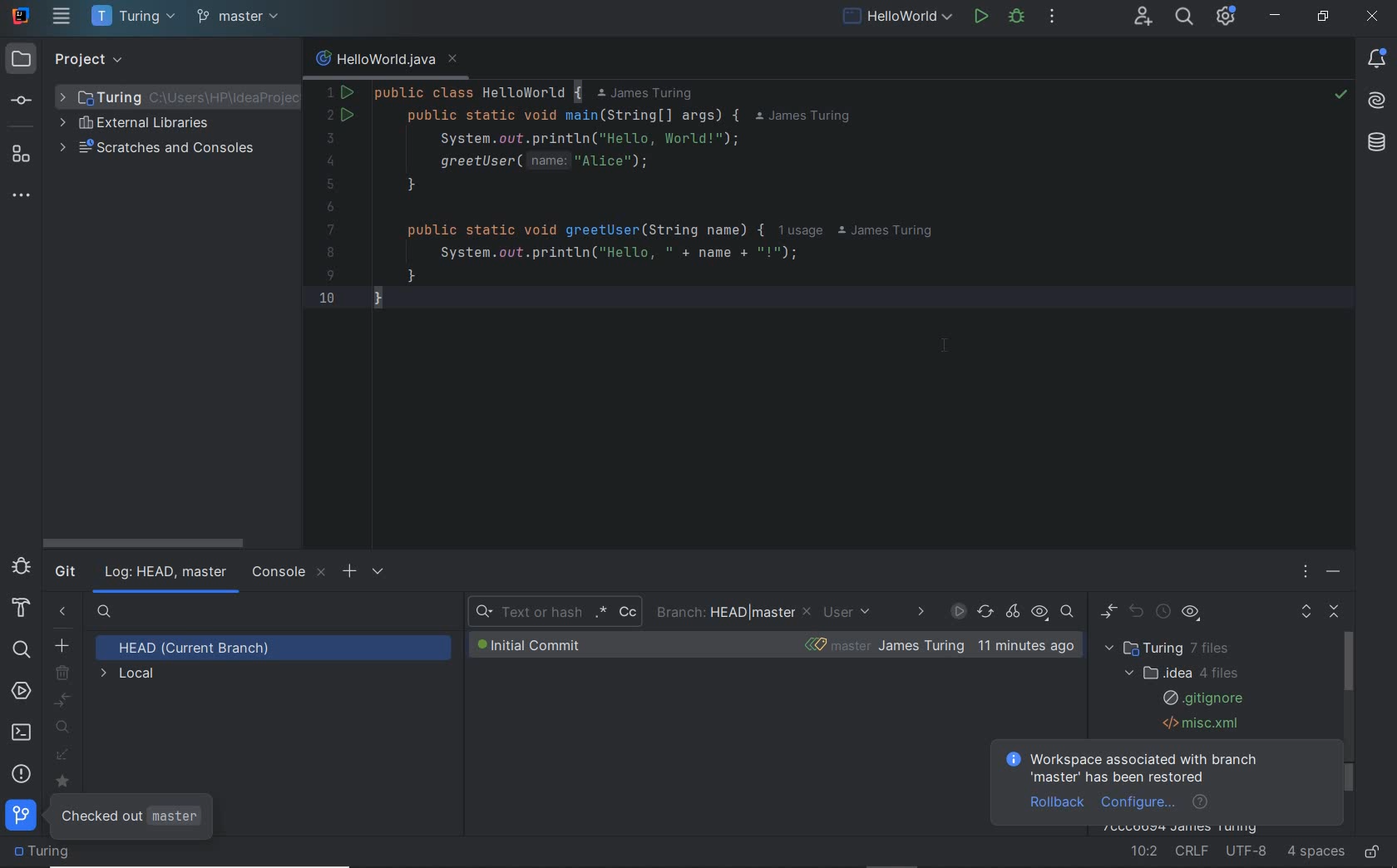  Describe the element at coordinates (65, 61) in the screenshot. I see `project` at that location.